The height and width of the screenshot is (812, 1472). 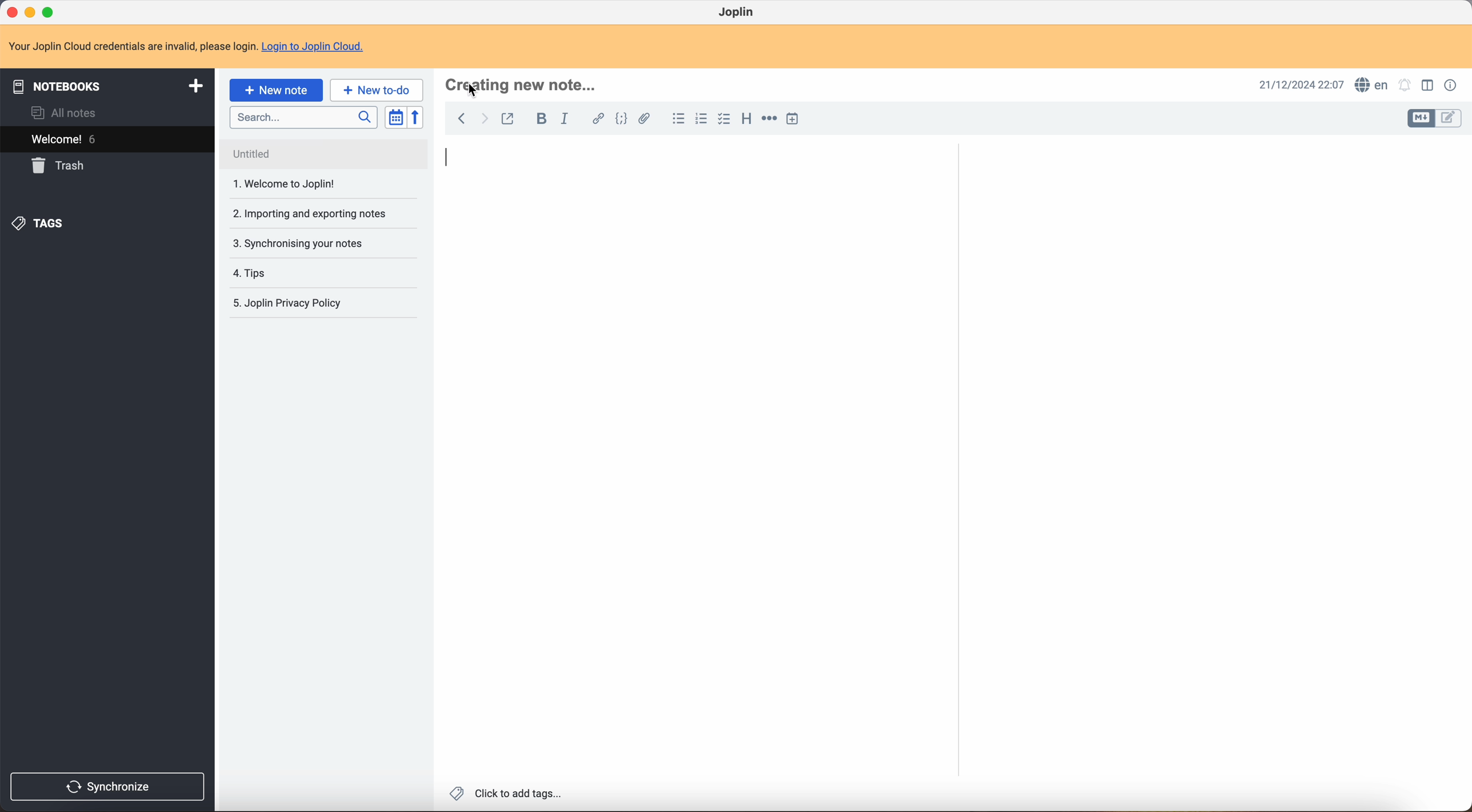 What do you see at coordinates (30, 11) in the screenshot?
I see `minimize program` at bounding box center [30, 11].